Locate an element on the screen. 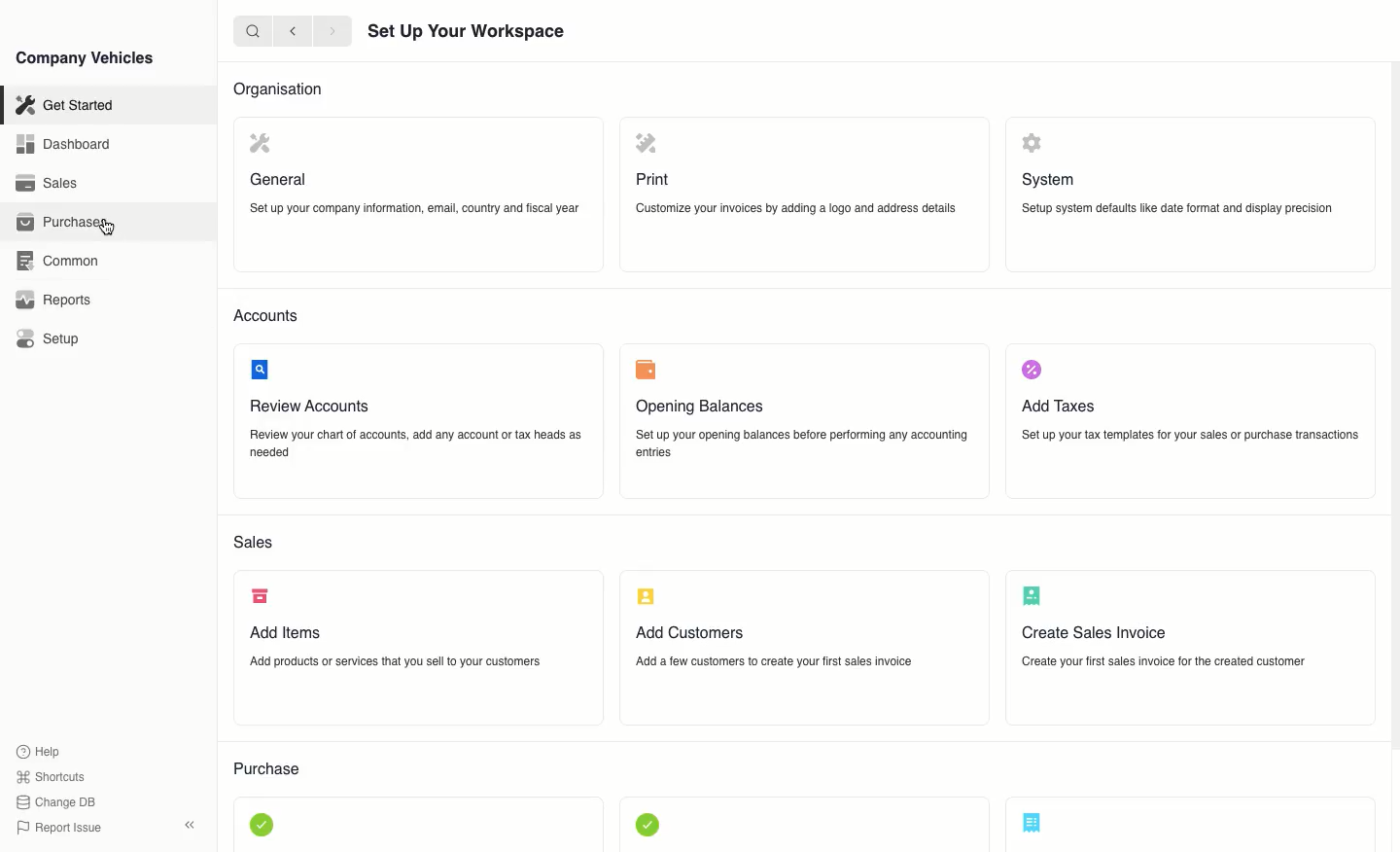  Add Taxes is located at coordinates (1059, 405).